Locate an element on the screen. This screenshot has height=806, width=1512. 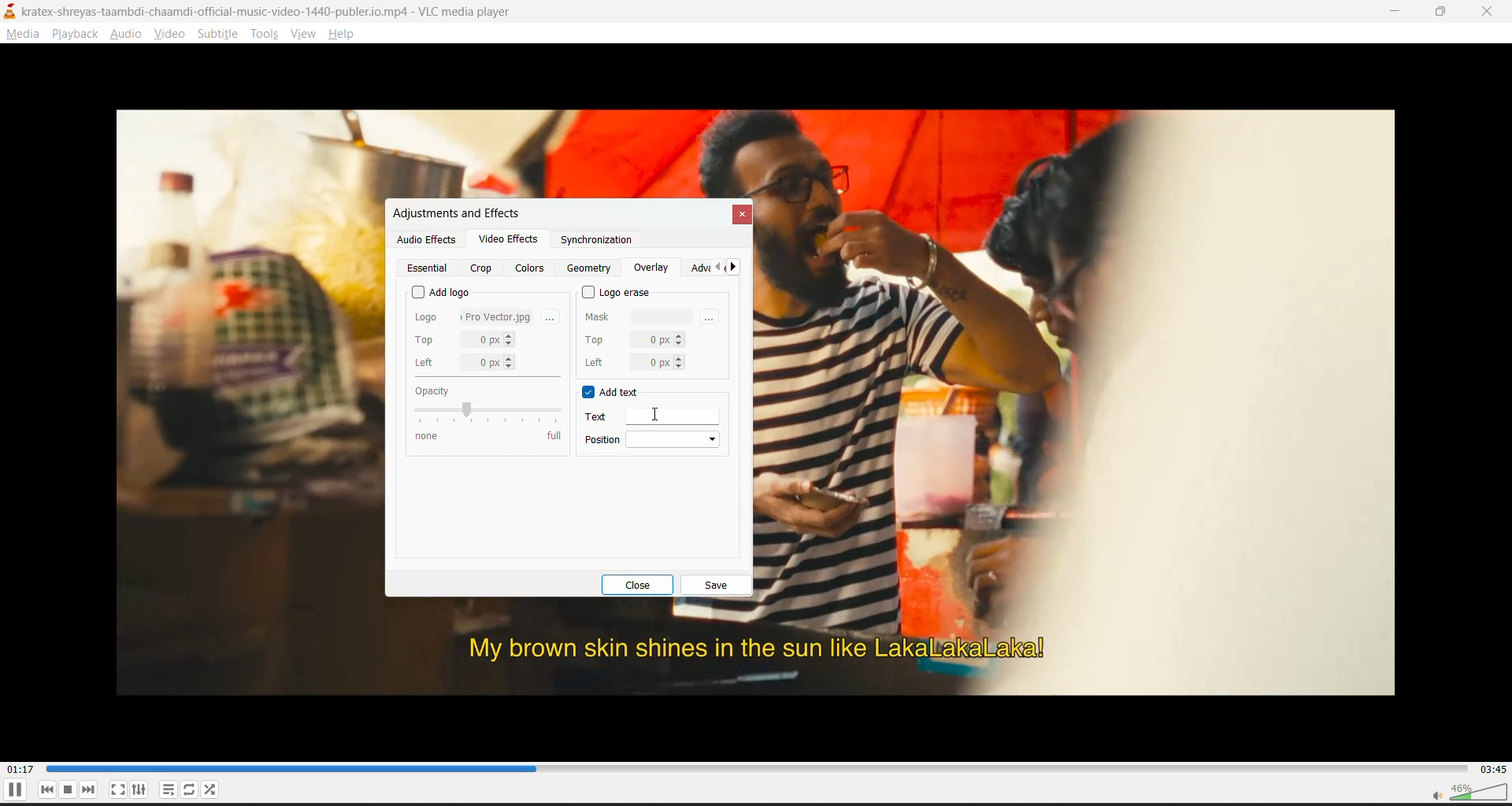
loop is located at coordinates (187, 790).